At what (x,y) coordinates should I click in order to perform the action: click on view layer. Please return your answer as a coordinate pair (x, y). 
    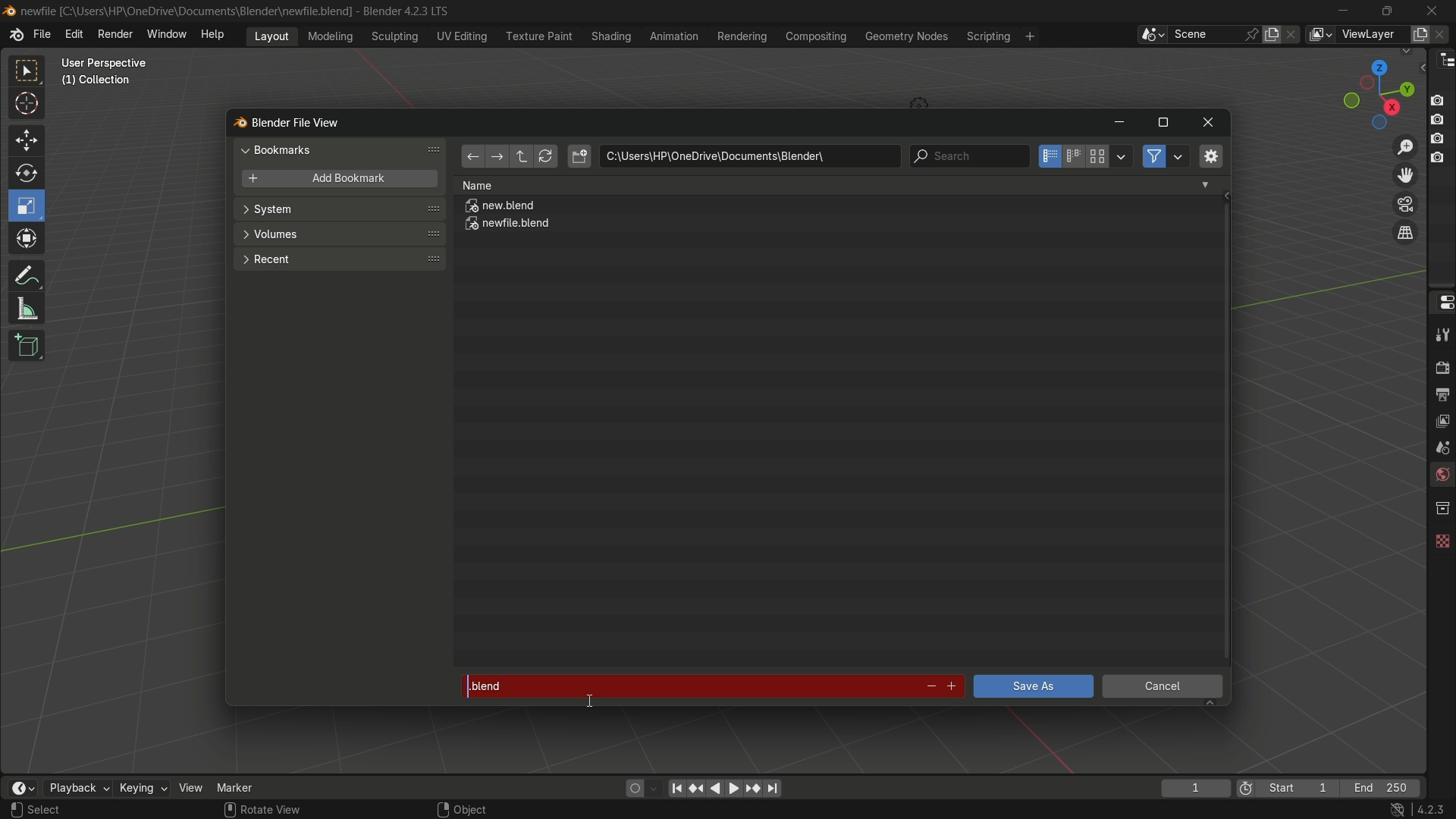
    Looking at the image, I should click on (1319, 34).